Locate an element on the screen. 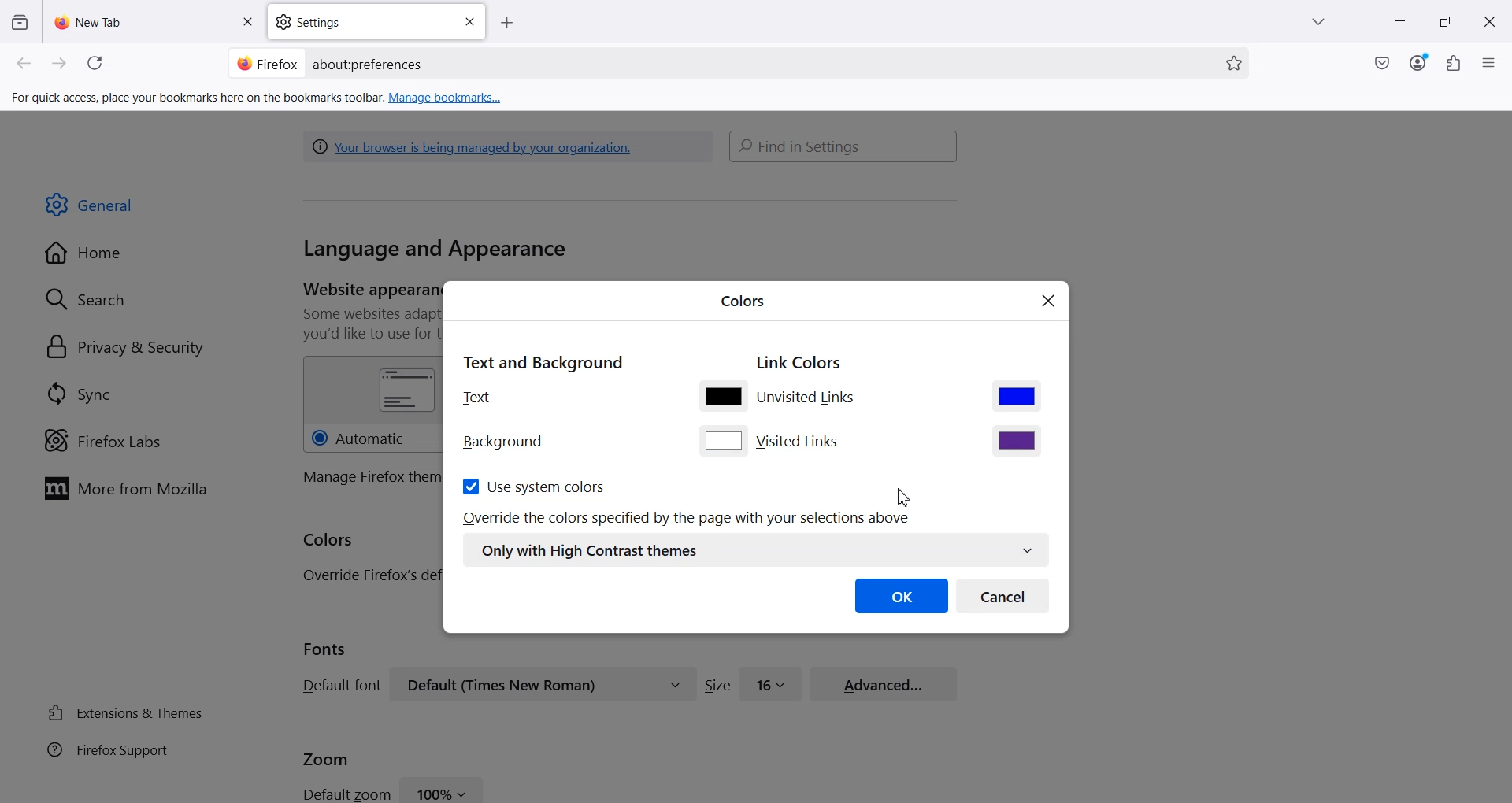 The height and width of the screenshot is (803, 1512). Add New Tab is located at coordinates (507, 24).